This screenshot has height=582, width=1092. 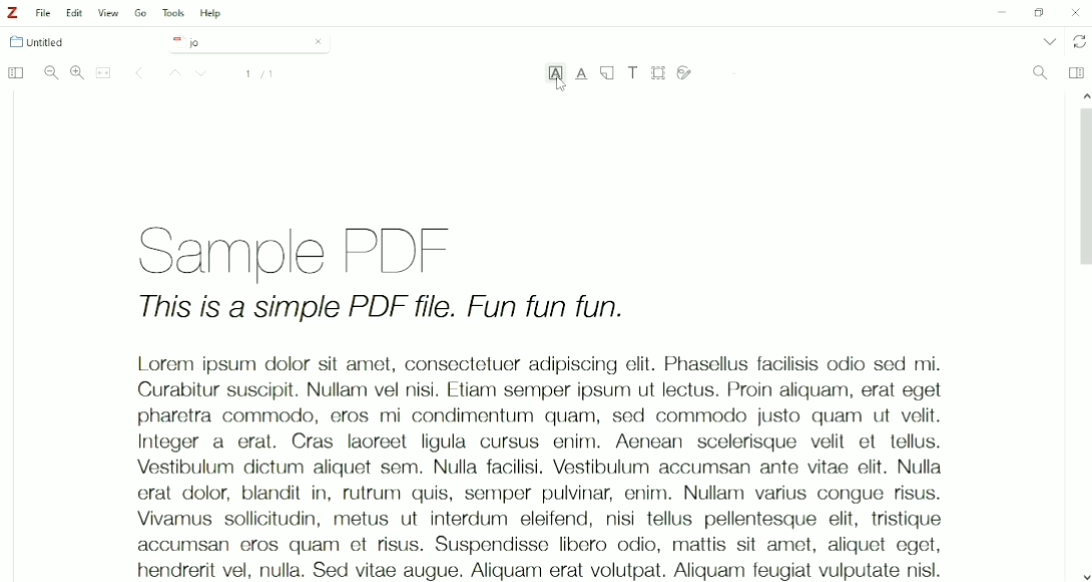 What do you see at coordinates (1040, 74) in the screenshot?
I see `Find In Document` at bounding box center [1040, 74].